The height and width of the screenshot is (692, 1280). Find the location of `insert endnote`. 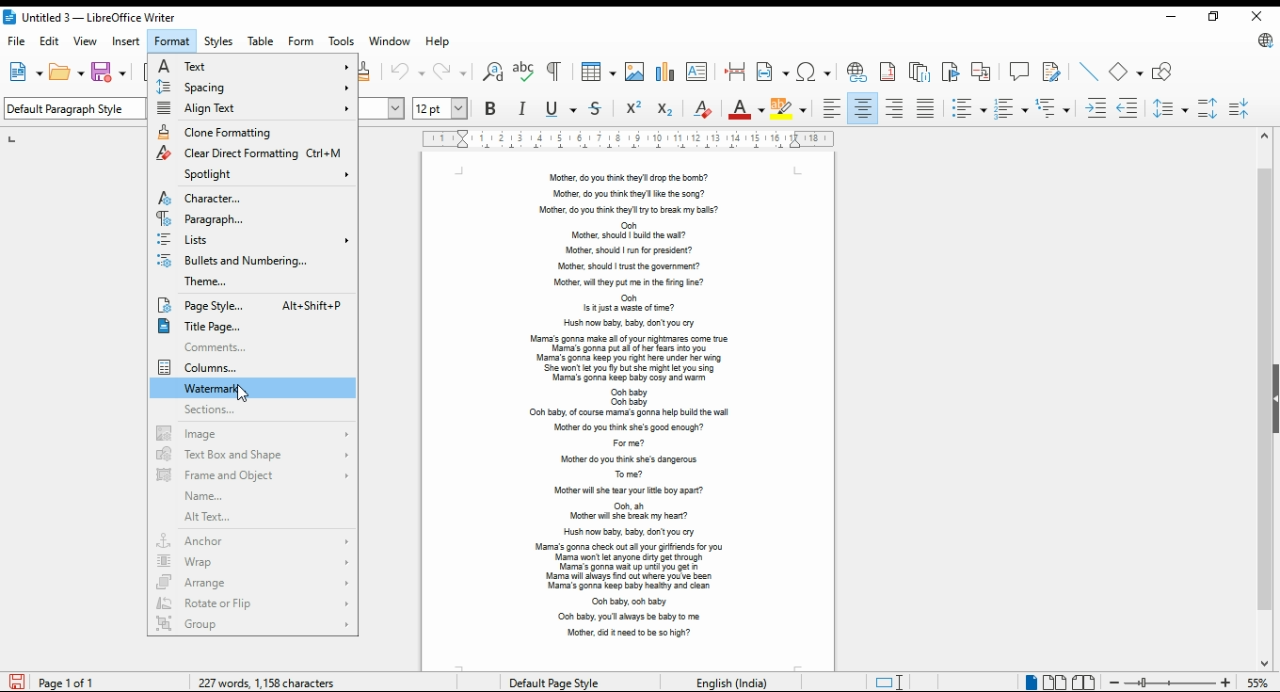

insert endnote is located at coordinates (920, 73).